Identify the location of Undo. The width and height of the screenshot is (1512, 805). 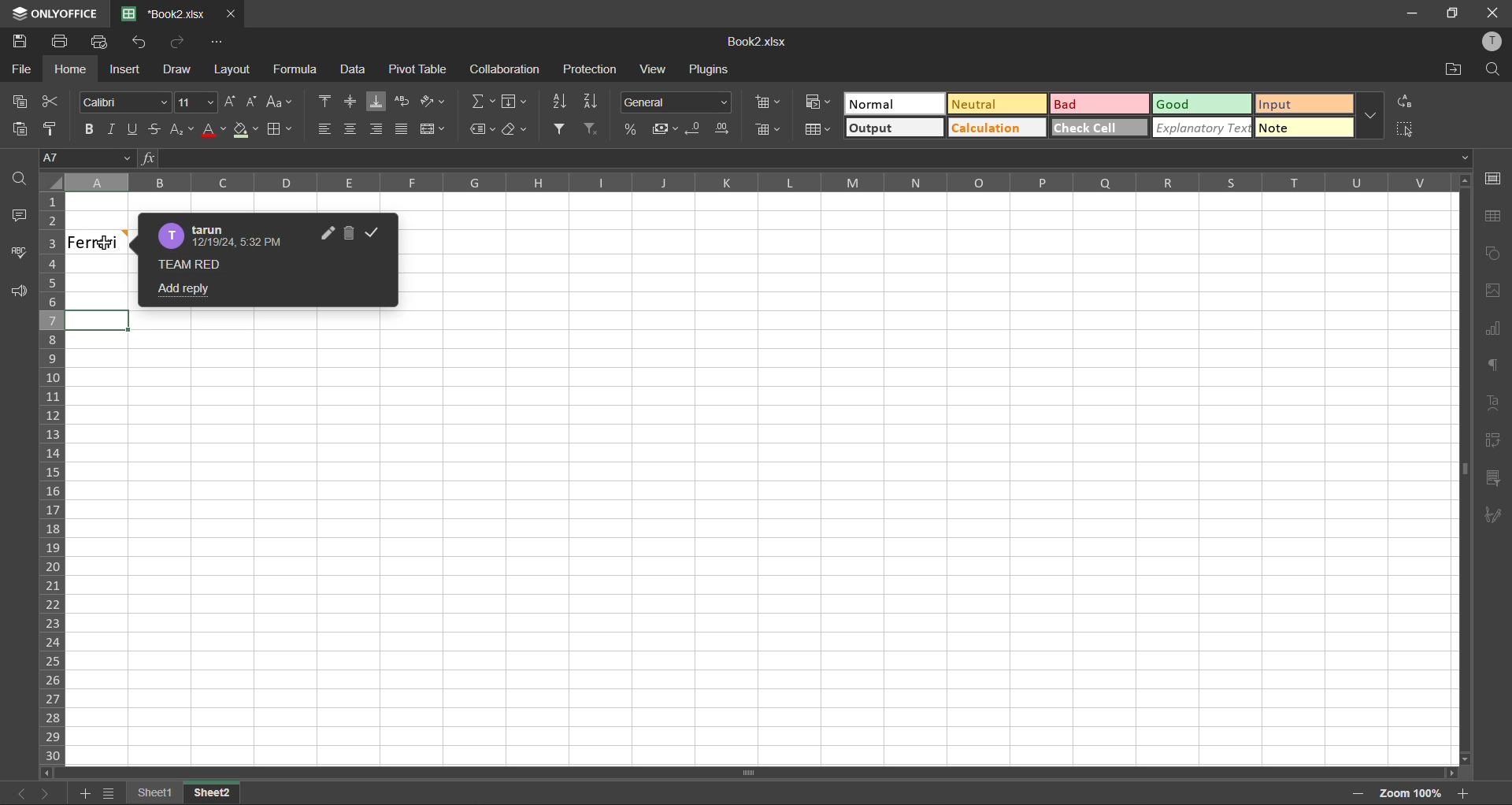
(145, 46).